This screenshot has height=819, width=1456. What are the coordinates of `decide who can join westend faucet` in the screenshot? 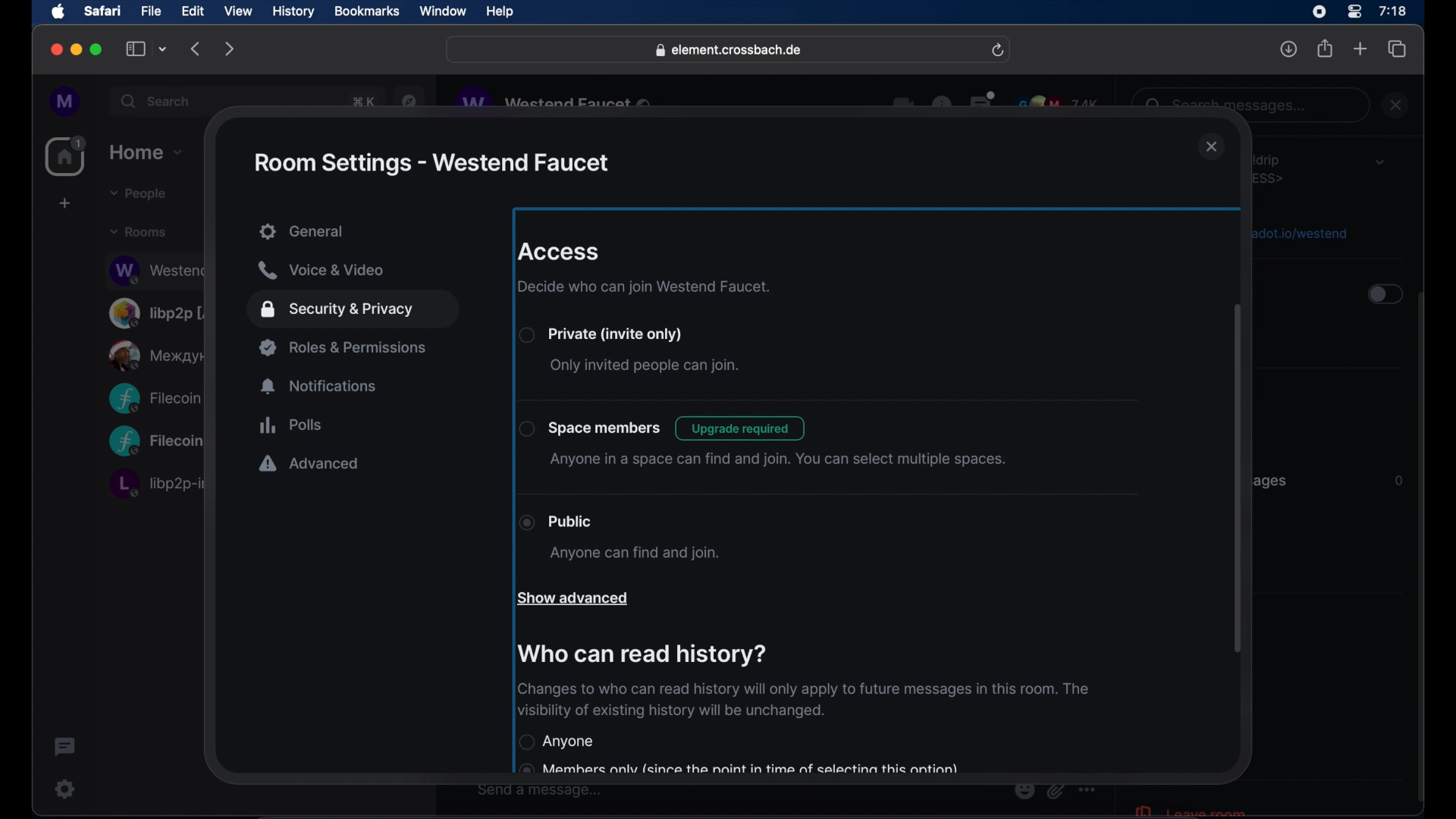 It's located at (643, 287).